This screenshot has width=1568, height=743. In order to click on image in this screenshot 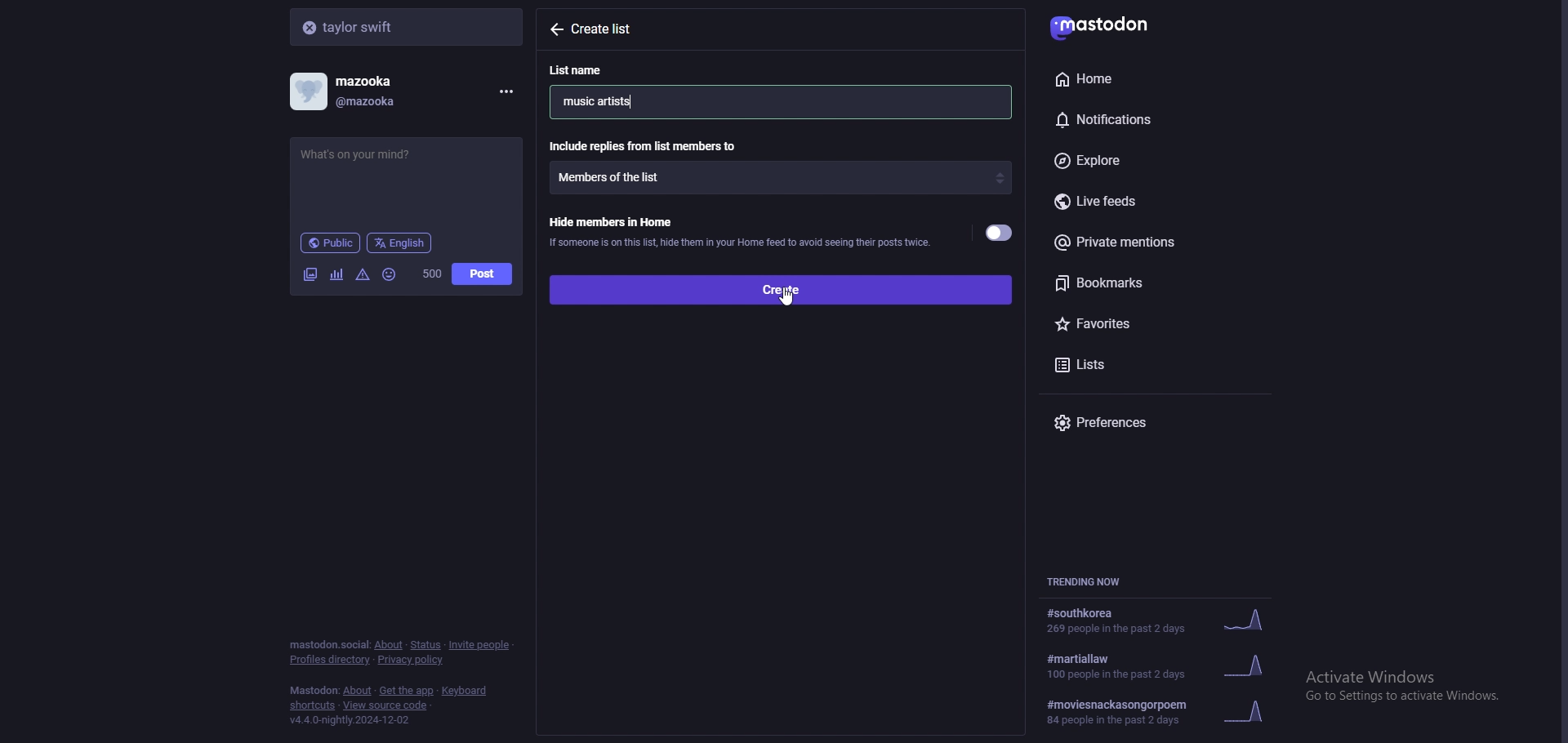, I will do `click(310, 274)`.